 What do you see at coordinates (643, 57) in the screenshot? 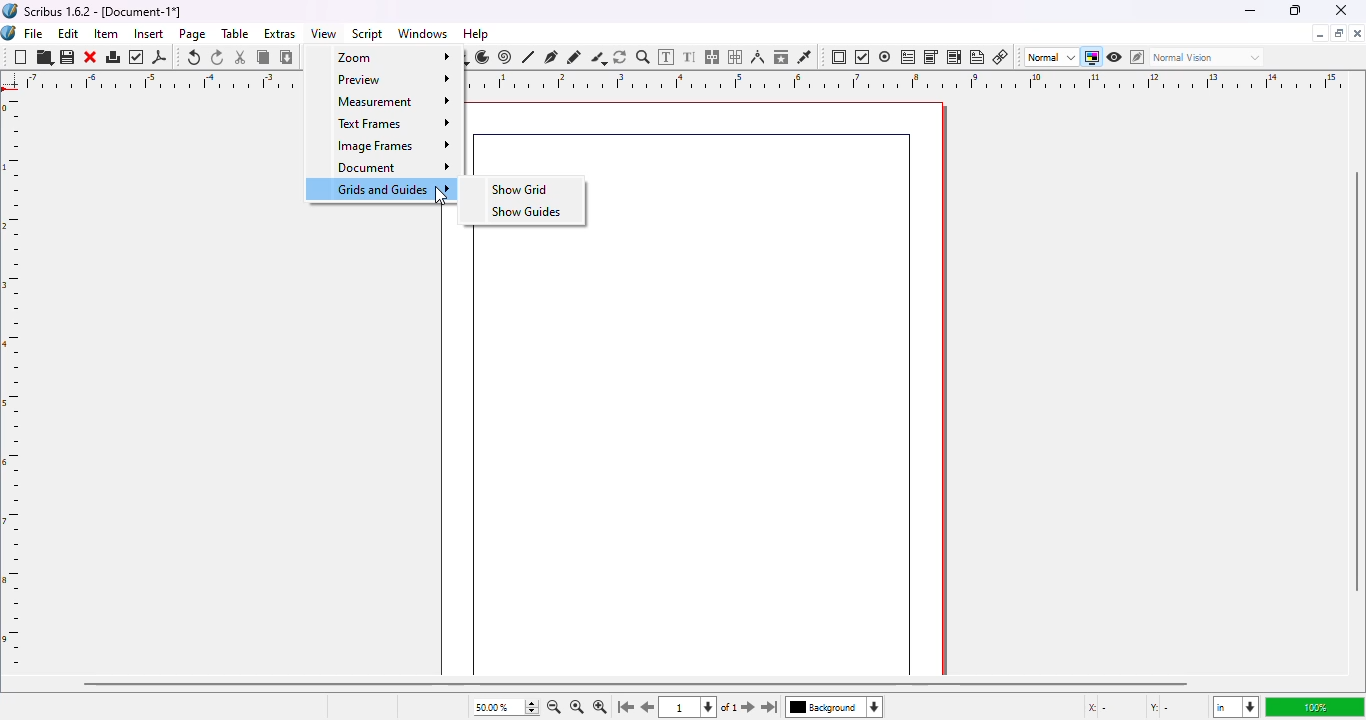
I see `zoom in or out` at bounding box center [643, 57].